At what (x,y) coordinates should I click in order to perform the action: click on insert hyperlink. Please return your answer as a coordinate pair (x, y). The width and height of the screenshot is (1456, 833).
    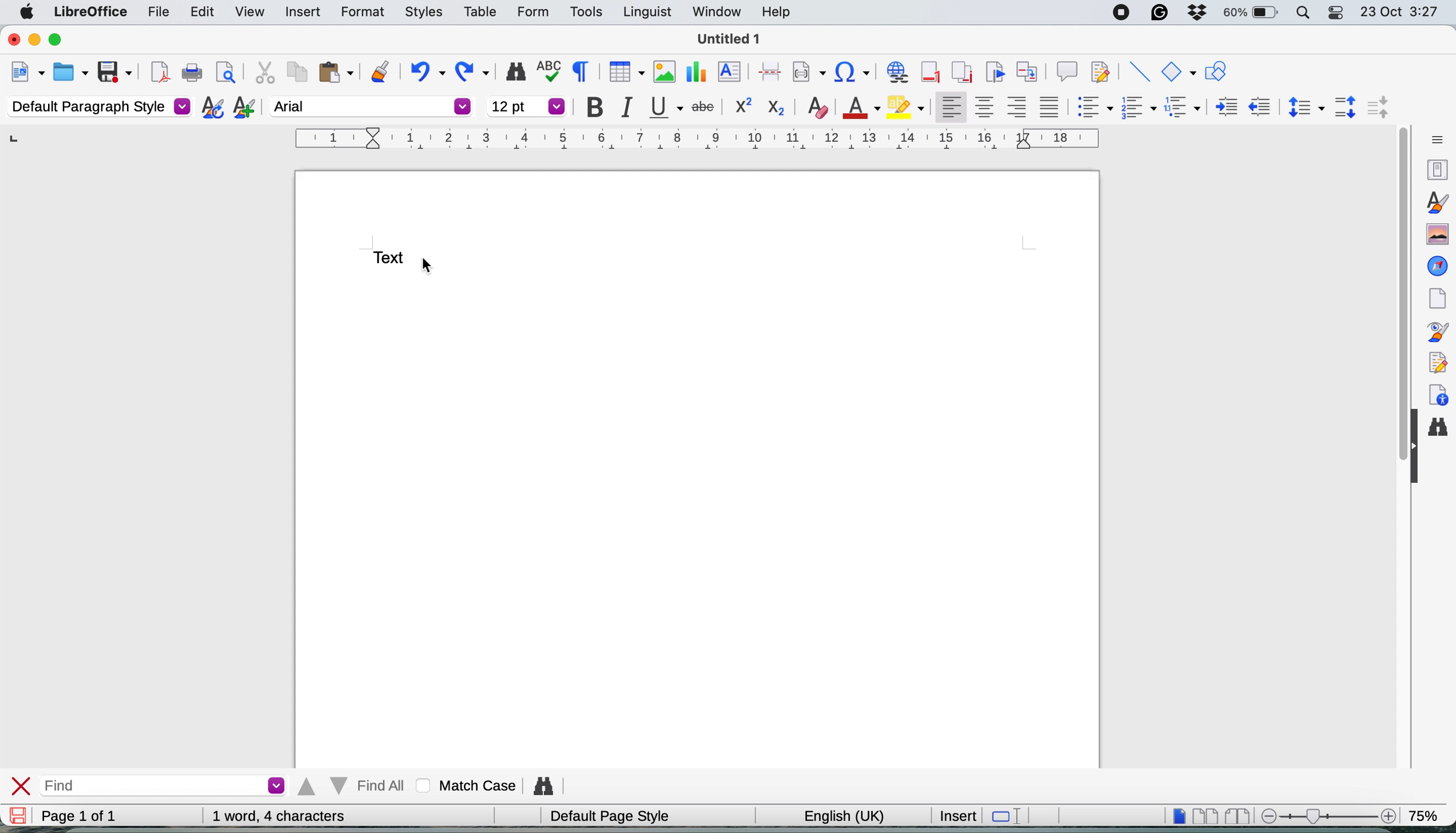
    Looking at the image, I should click on (853, 72).